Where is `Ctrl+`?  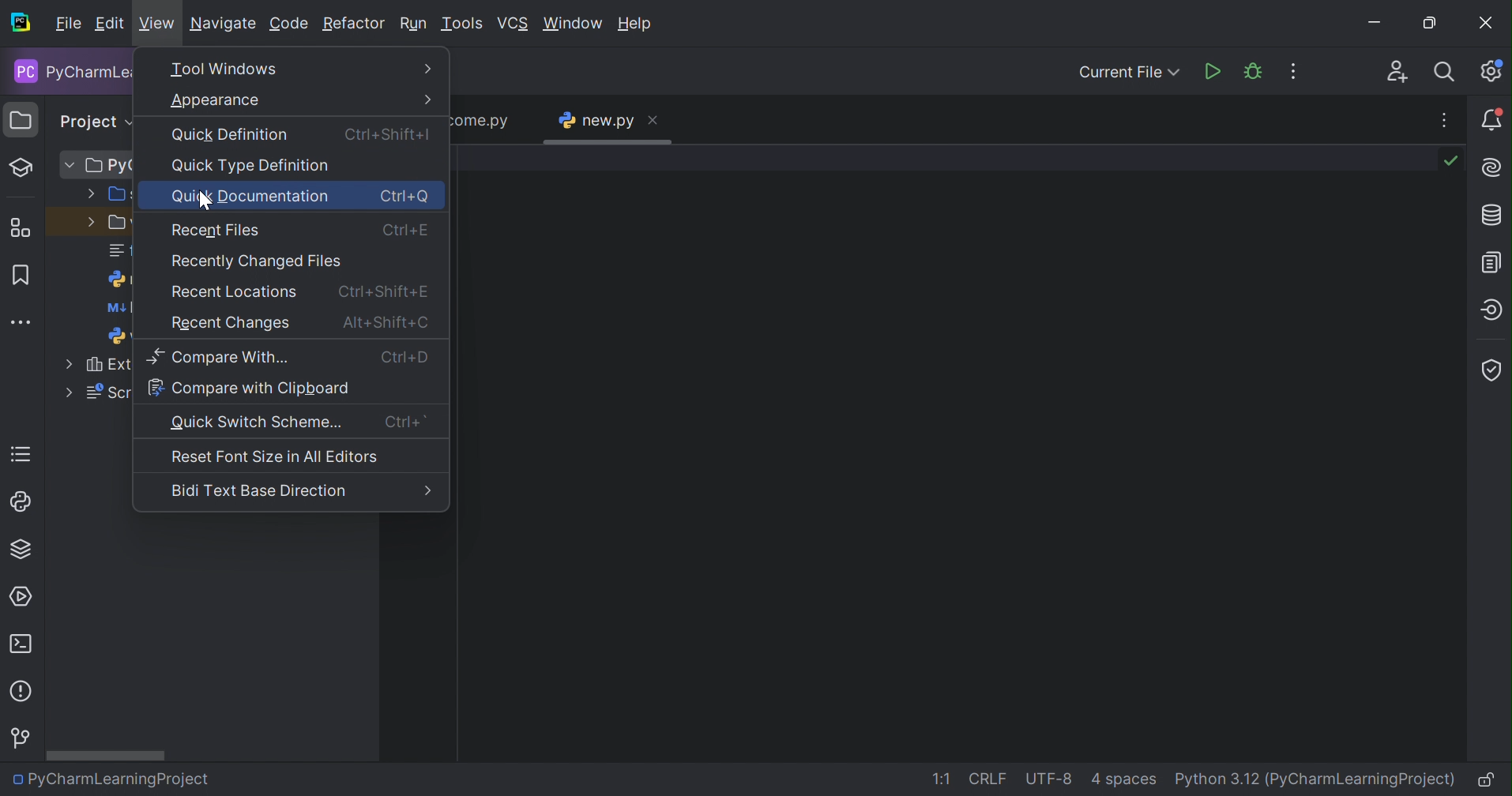 Ctrl+ is located at coordinates (405, 420).